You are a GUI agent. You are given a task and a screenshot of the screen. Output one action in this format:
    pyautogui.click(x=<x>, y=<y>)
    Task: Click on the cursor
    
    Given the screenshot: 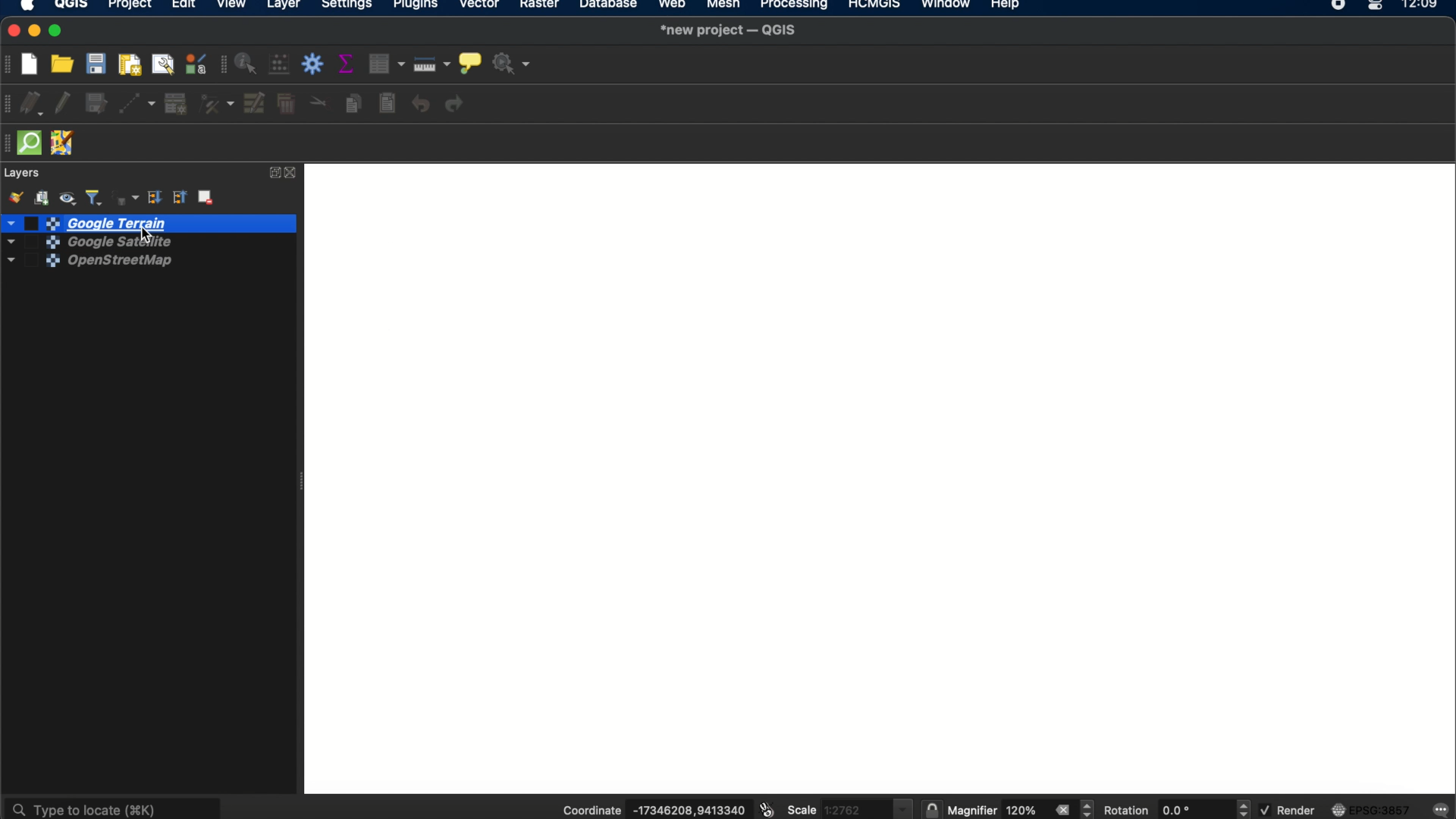 What is the action you would take?
    pyautogui.click(x=146, y=231)
    